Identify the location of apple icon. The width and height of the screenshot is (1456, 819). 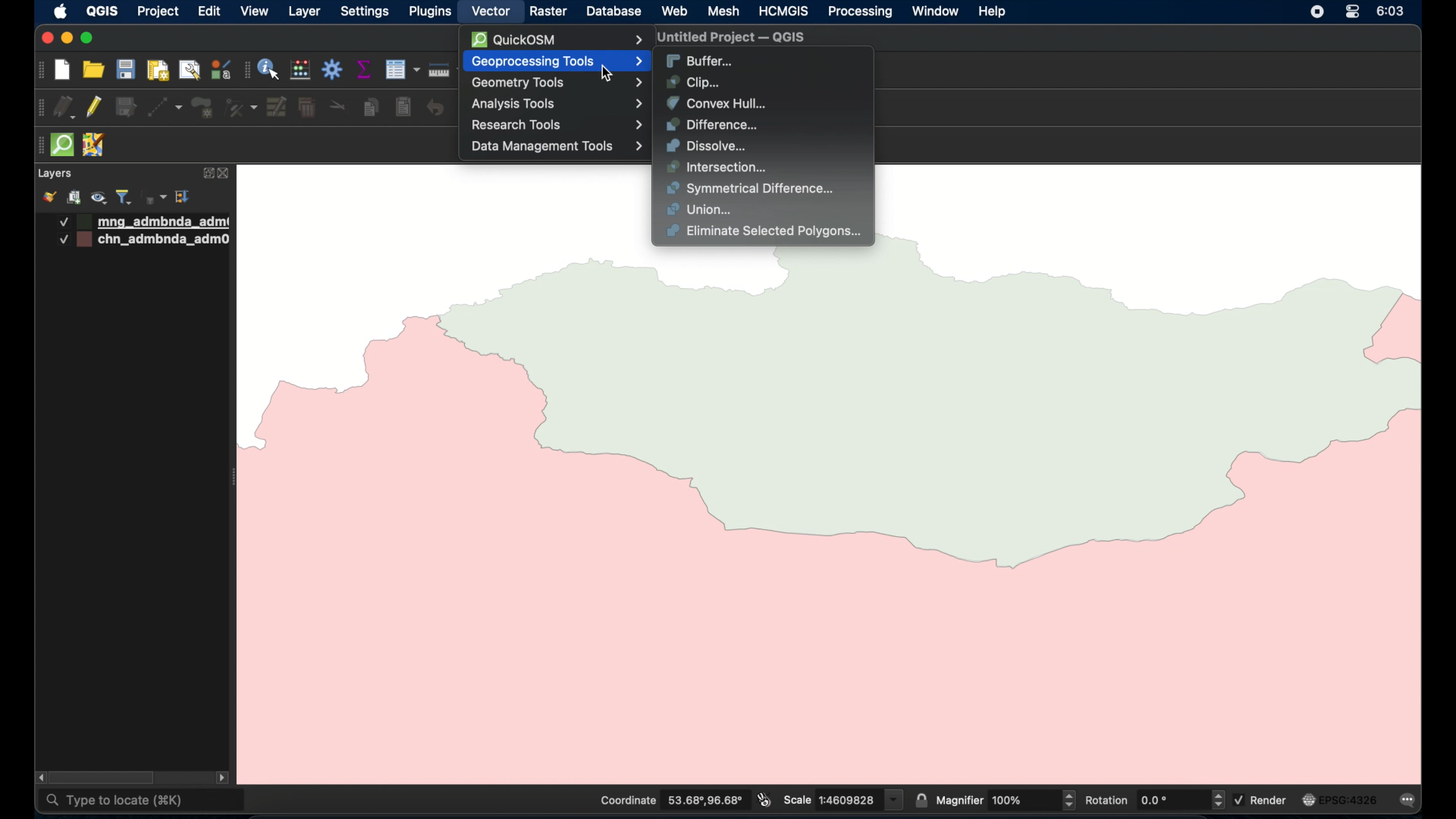
(61, 11).